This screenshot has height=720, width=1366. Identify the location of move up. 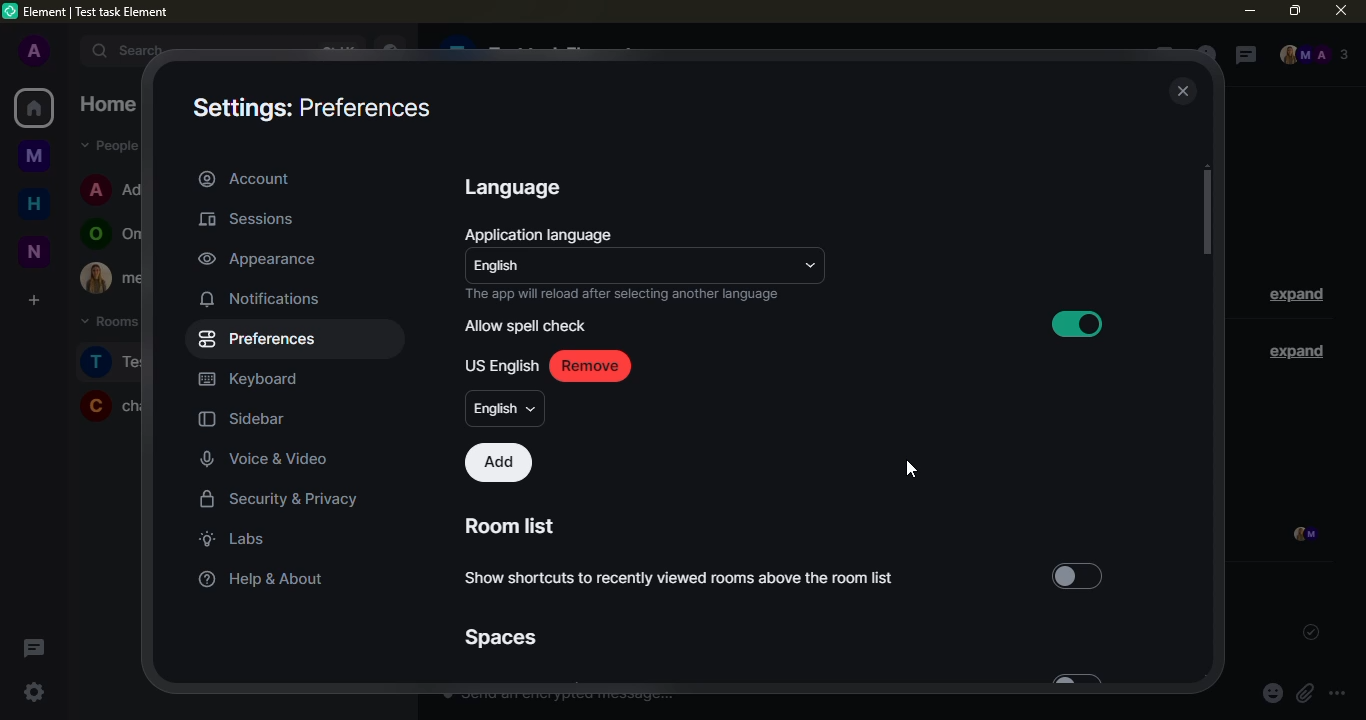
(1206, 166).